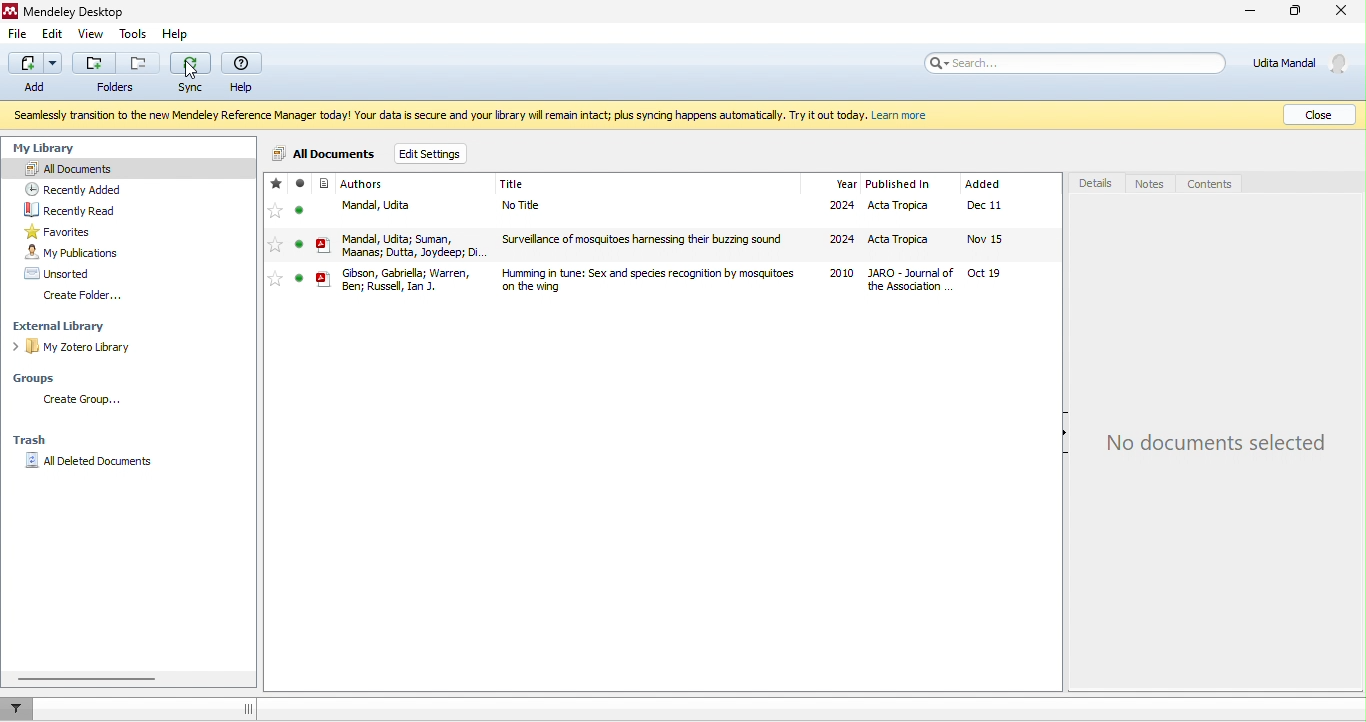 This screenshot has width=1366, height=722. I want to click on help, so click(244, 73).